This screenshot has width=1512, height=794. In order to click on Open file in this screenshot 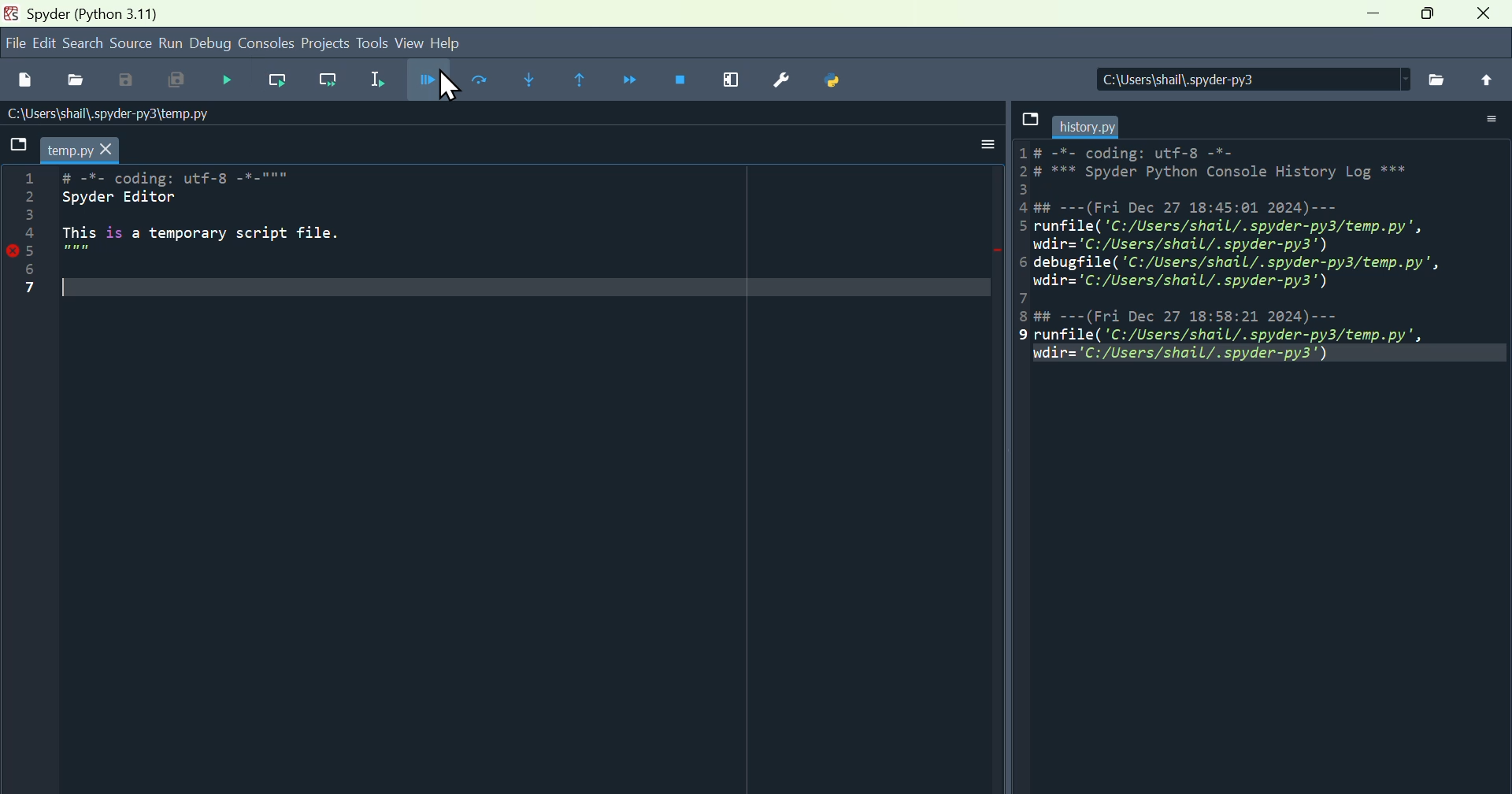, I will do `click(76, 83)`.